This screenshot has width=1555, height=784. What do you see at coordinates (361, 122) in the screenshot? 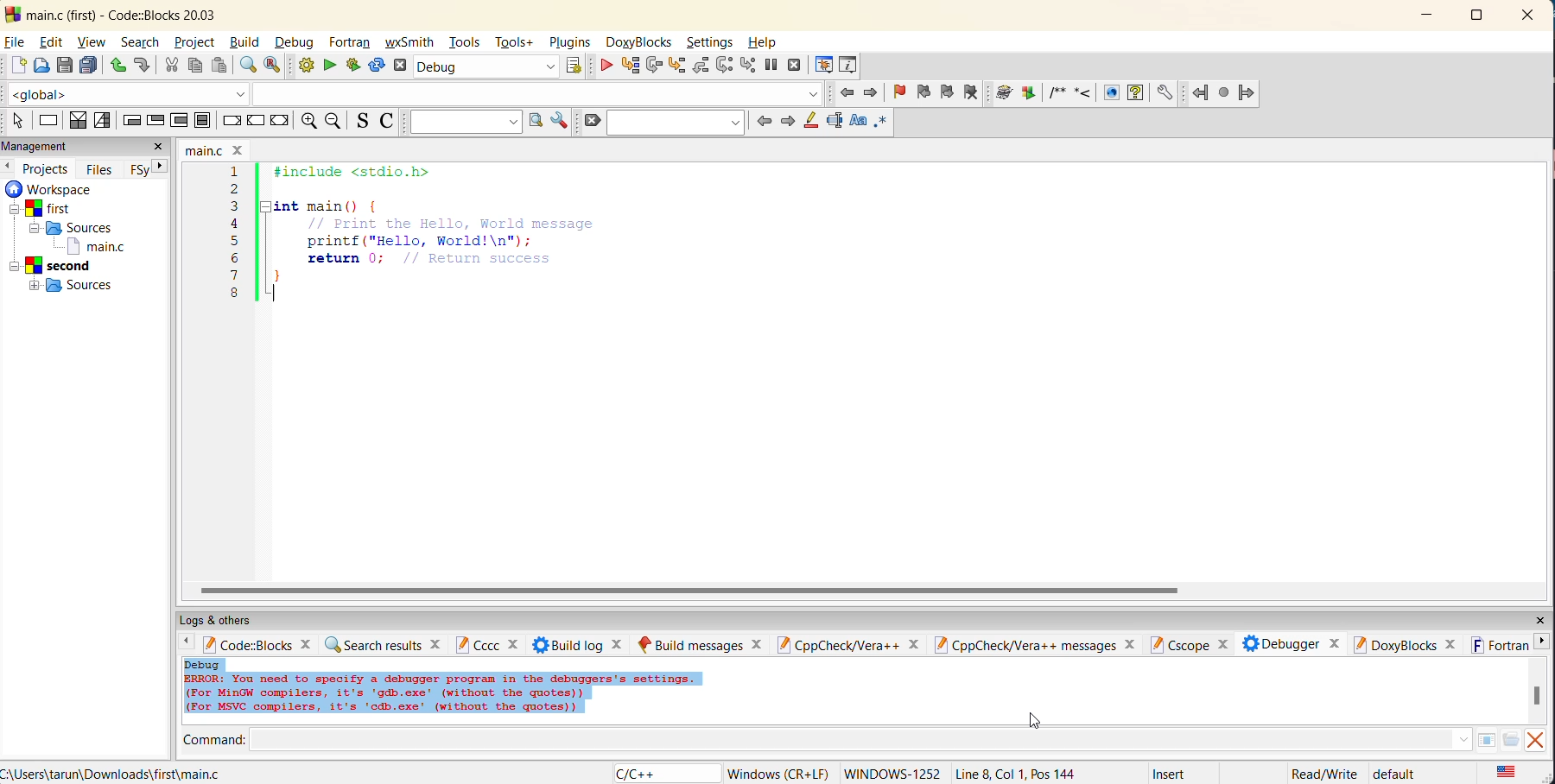
I see `toggle source` at bounding box center [361, 122].